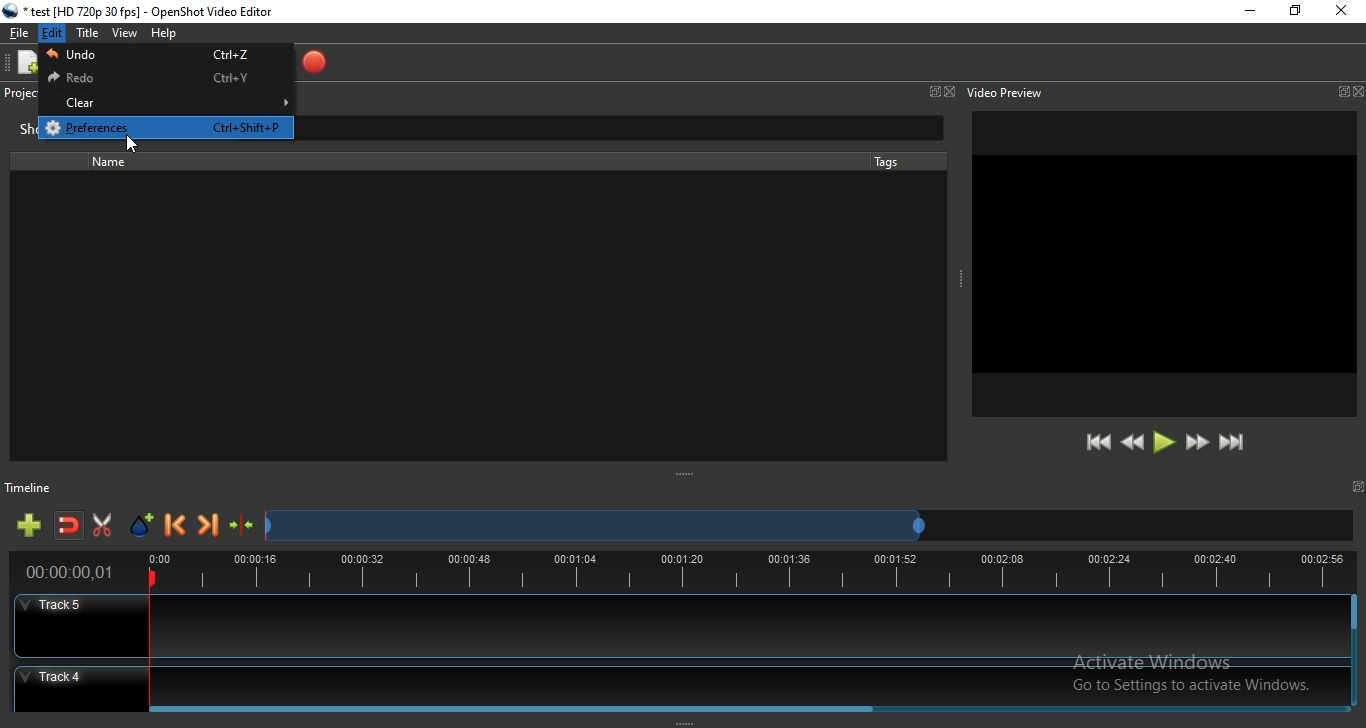 The image size is (1366, 728). What do you see at coordinates (464, 316) in the screenshot?
I see `Clip thumbnail` at bounding box center [464, 316].